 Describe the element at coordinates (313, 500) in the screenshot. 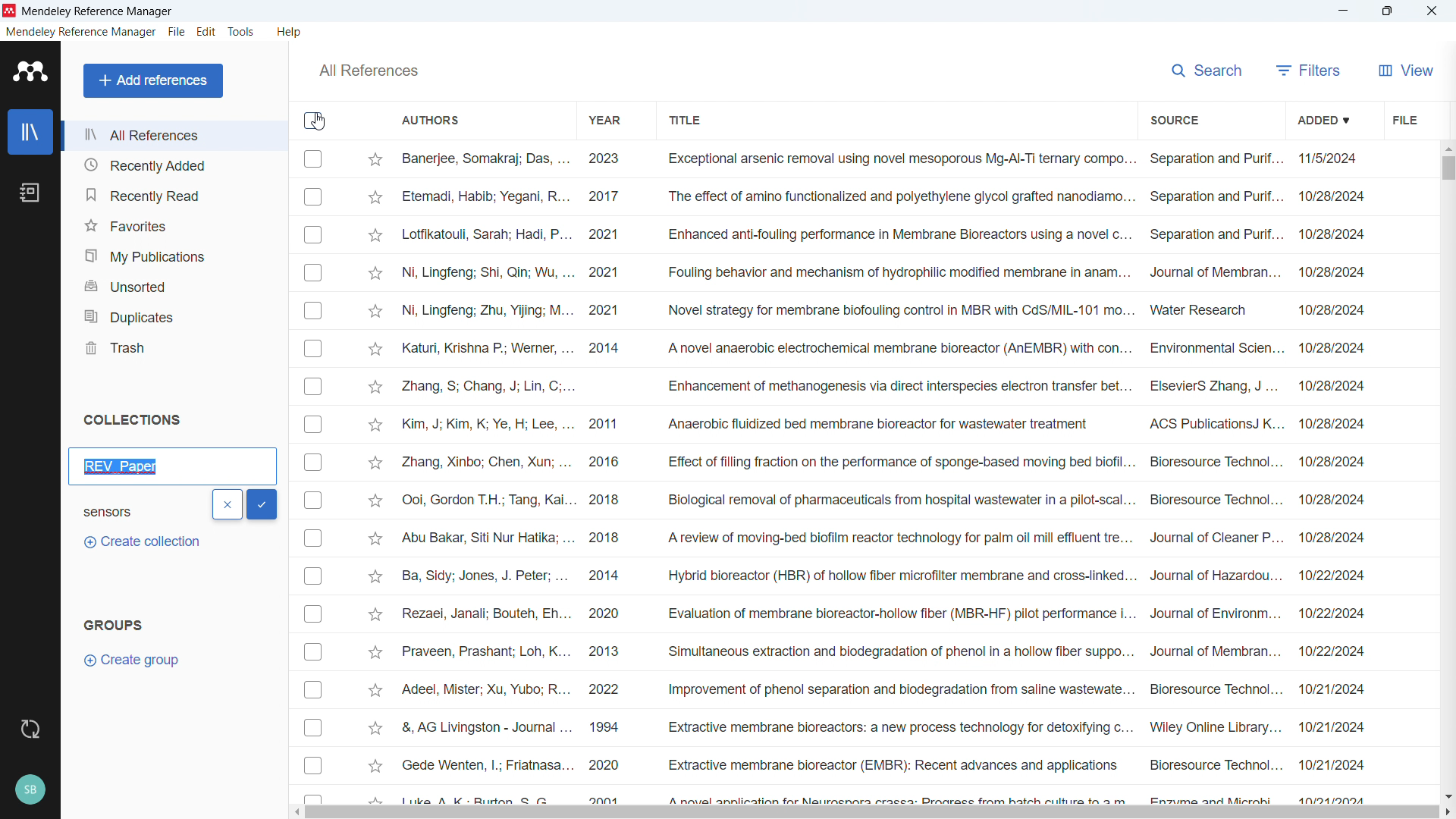

I see `Select respective publication` at that location.